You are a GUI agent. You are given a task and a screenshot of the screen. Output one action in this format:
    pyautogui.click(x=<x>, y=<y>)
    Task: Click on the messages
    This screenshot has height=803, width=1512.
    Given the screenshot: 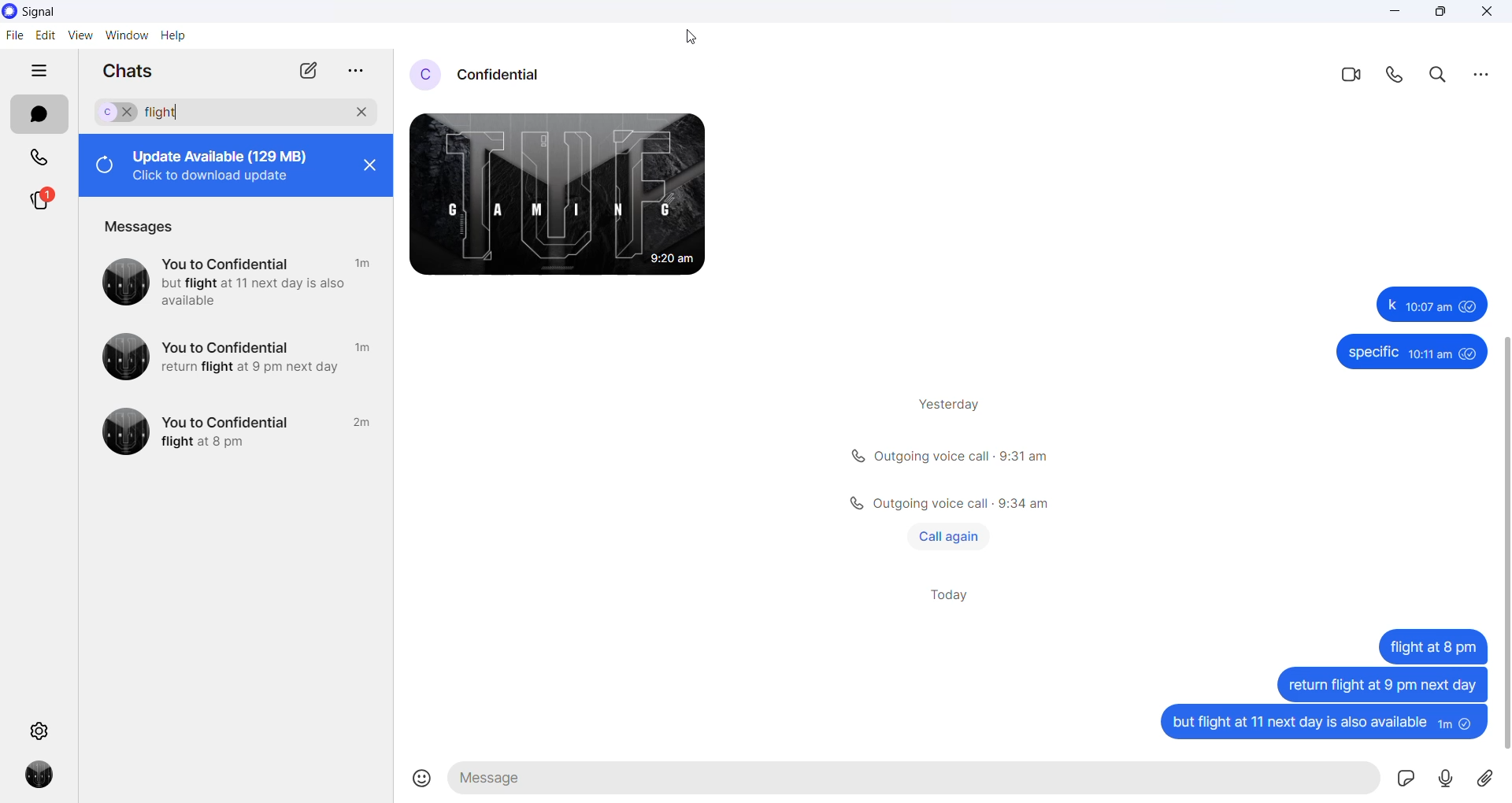 What is the action you would take?
    pyautogui.click(x=143, y=228)
    